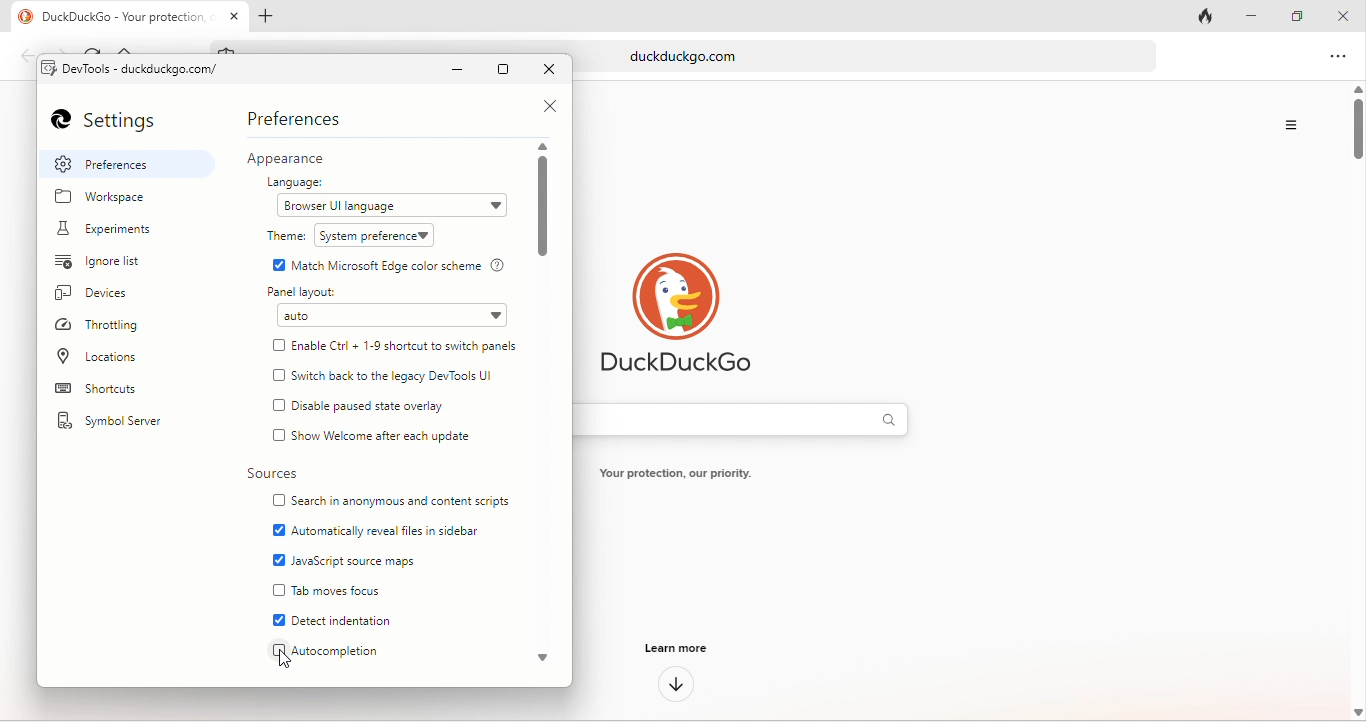 The width and height of the screenshot is (1366, 722). I want to click on close tab, so click(235, 14).